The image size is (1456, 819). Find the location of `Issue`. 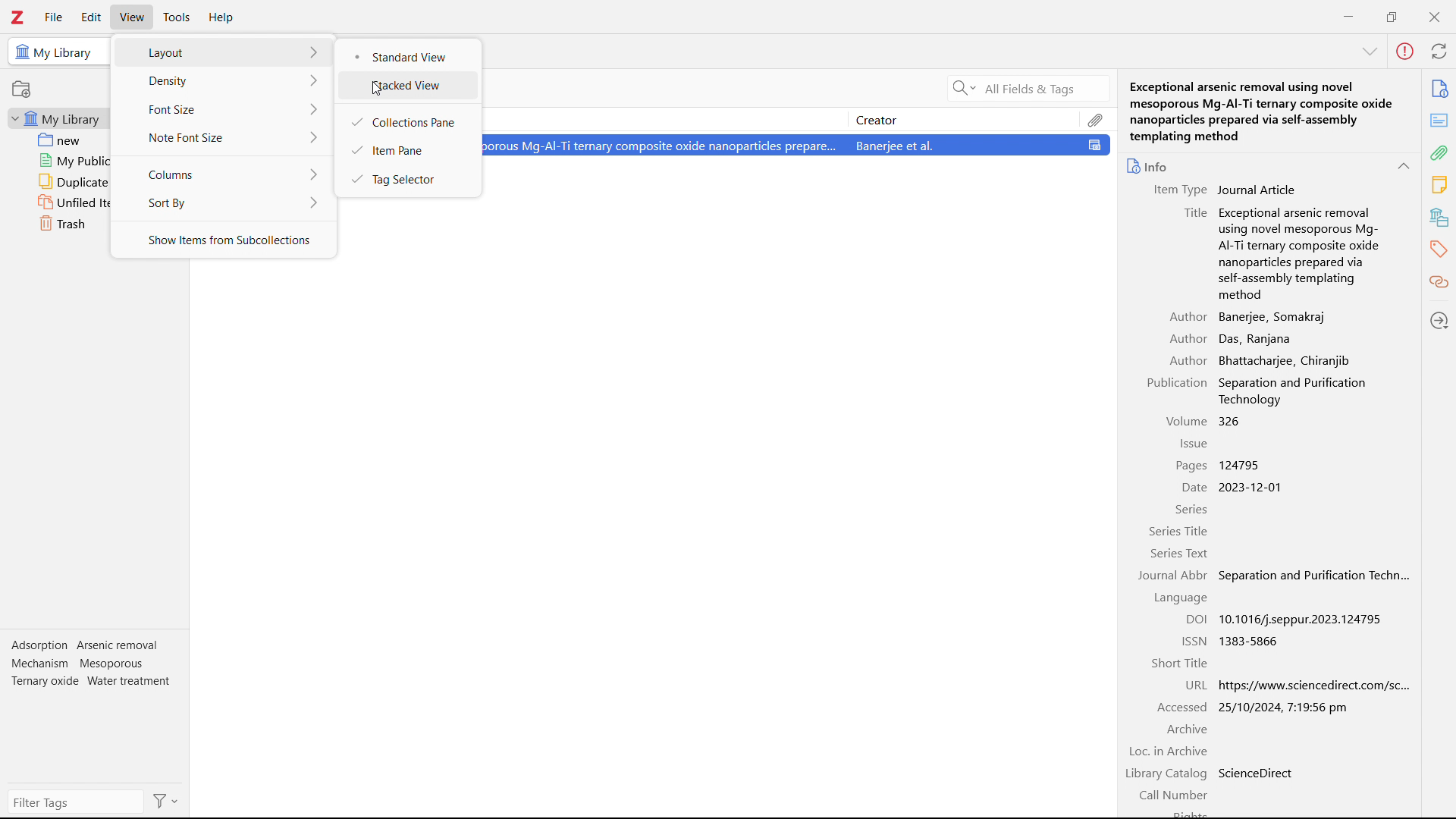

Issue is located at coordinates (1194, 442).